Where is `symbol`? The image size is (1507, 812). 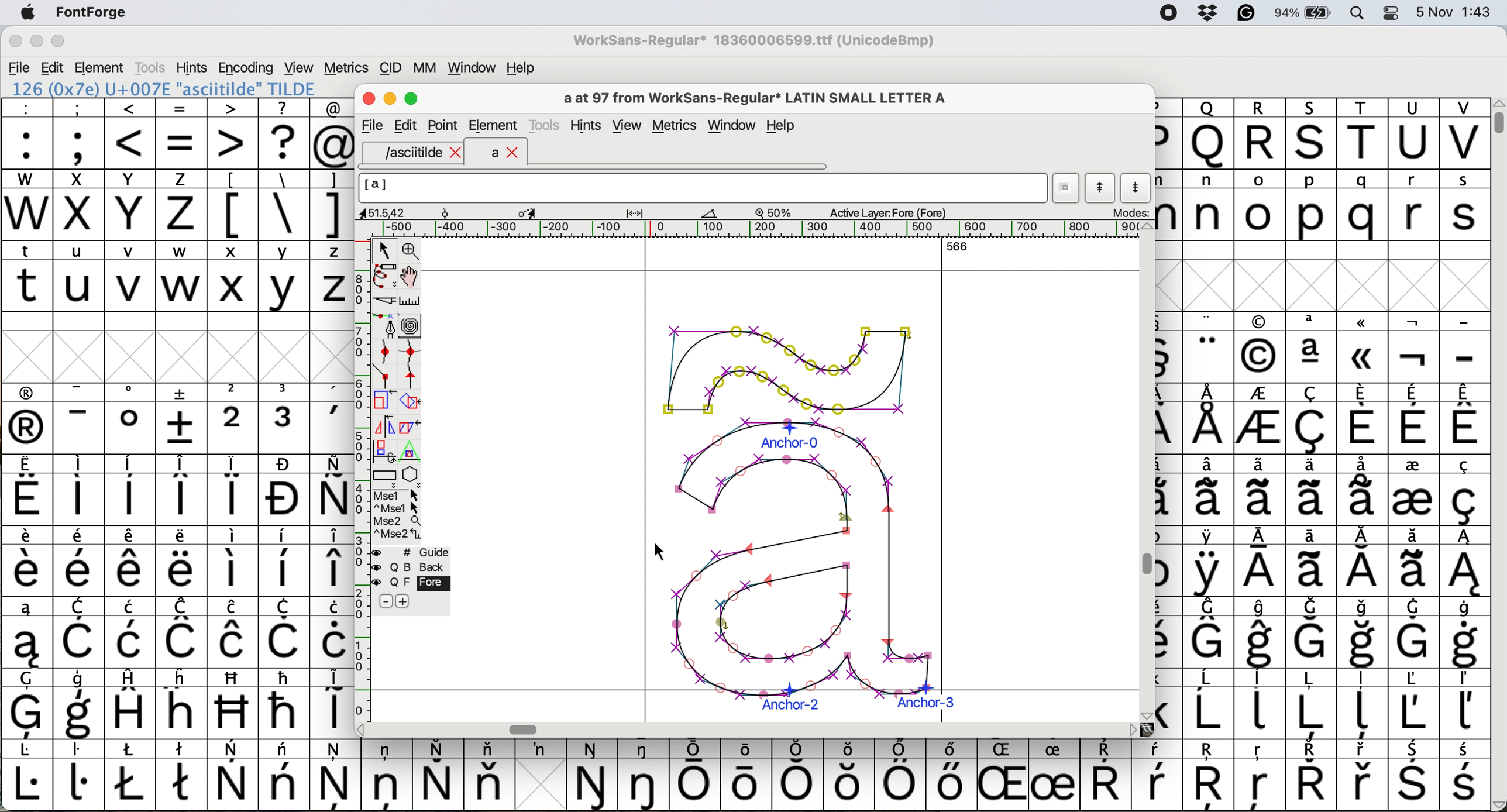
symbol is located at coordinates (183, 418).